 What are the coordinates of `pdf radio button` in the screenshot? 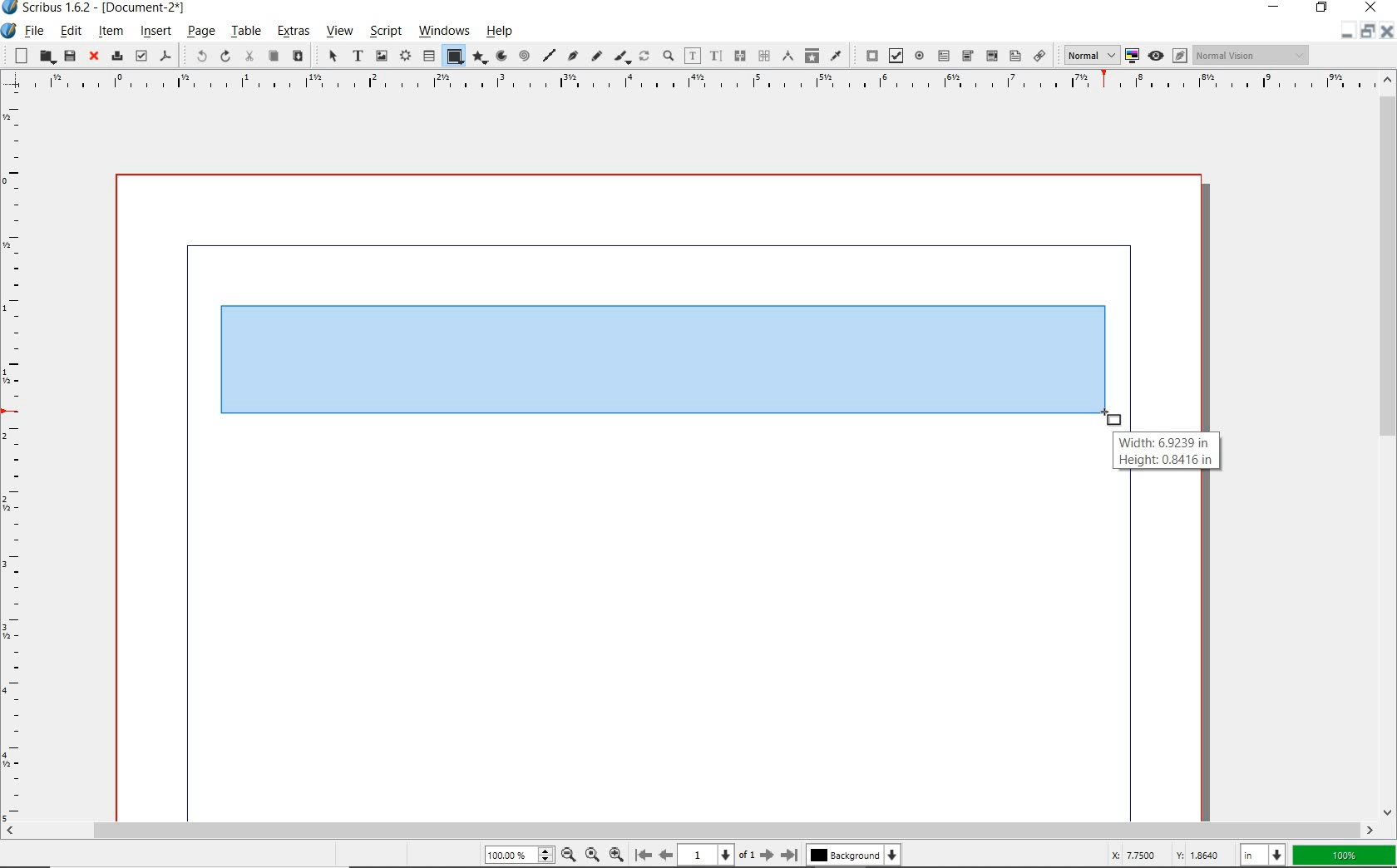 It's located at (919, 56).